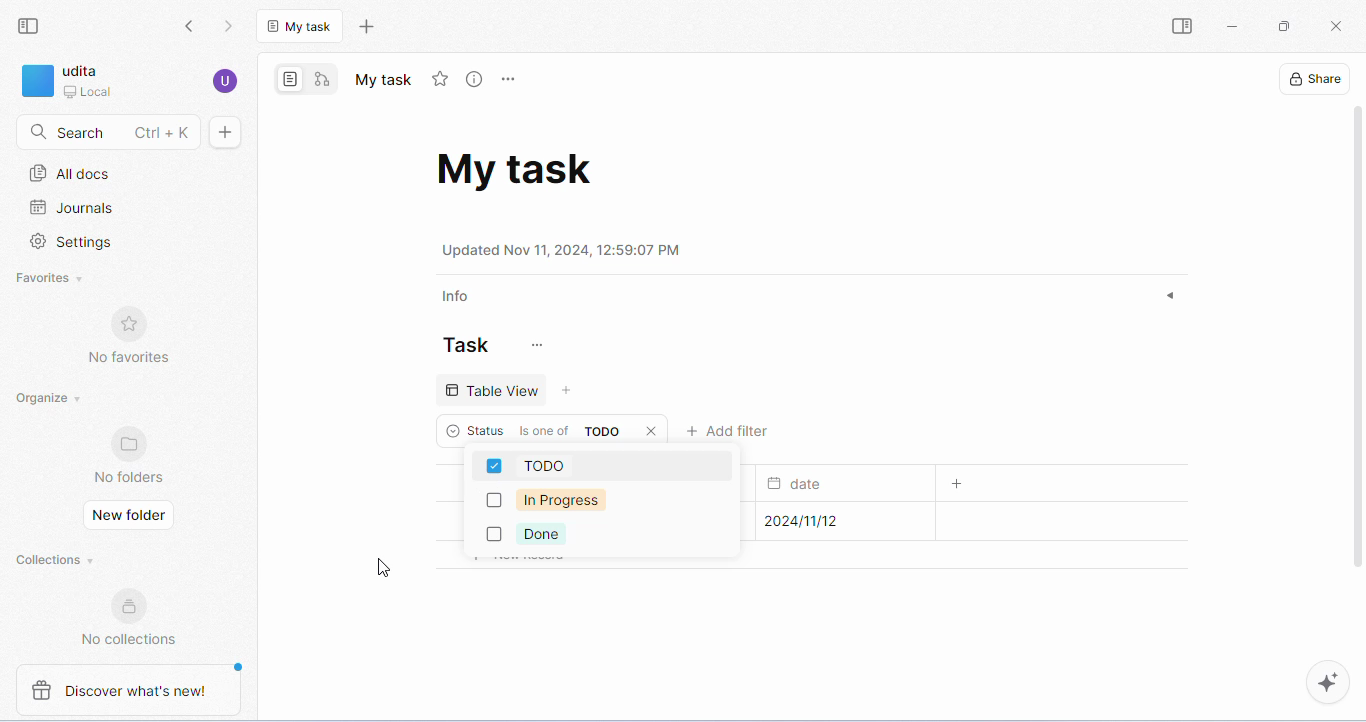  I want to click on all docs, so click(72, 173).